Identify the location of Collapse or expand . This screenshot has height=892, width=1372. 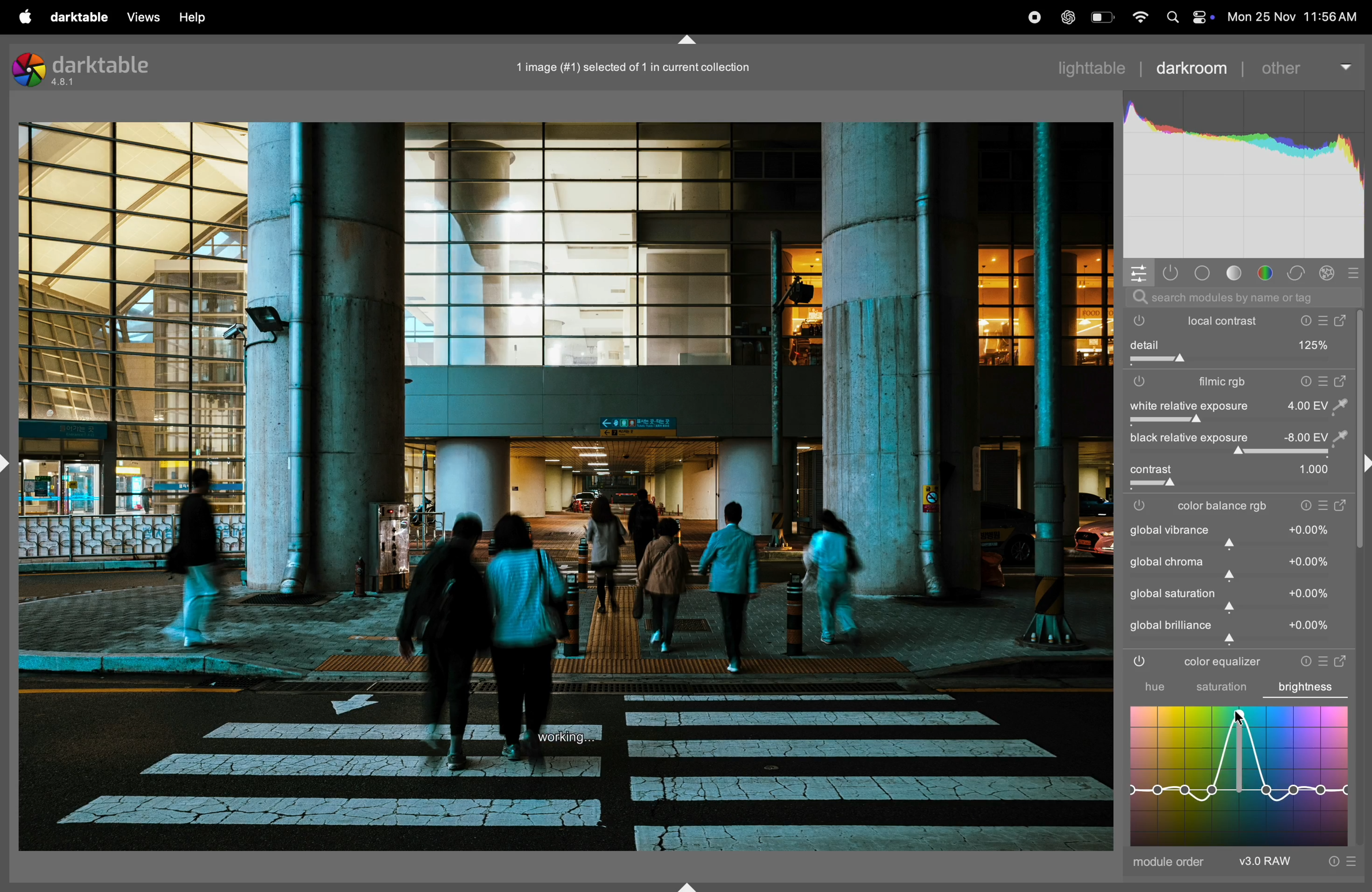
(689, 36).